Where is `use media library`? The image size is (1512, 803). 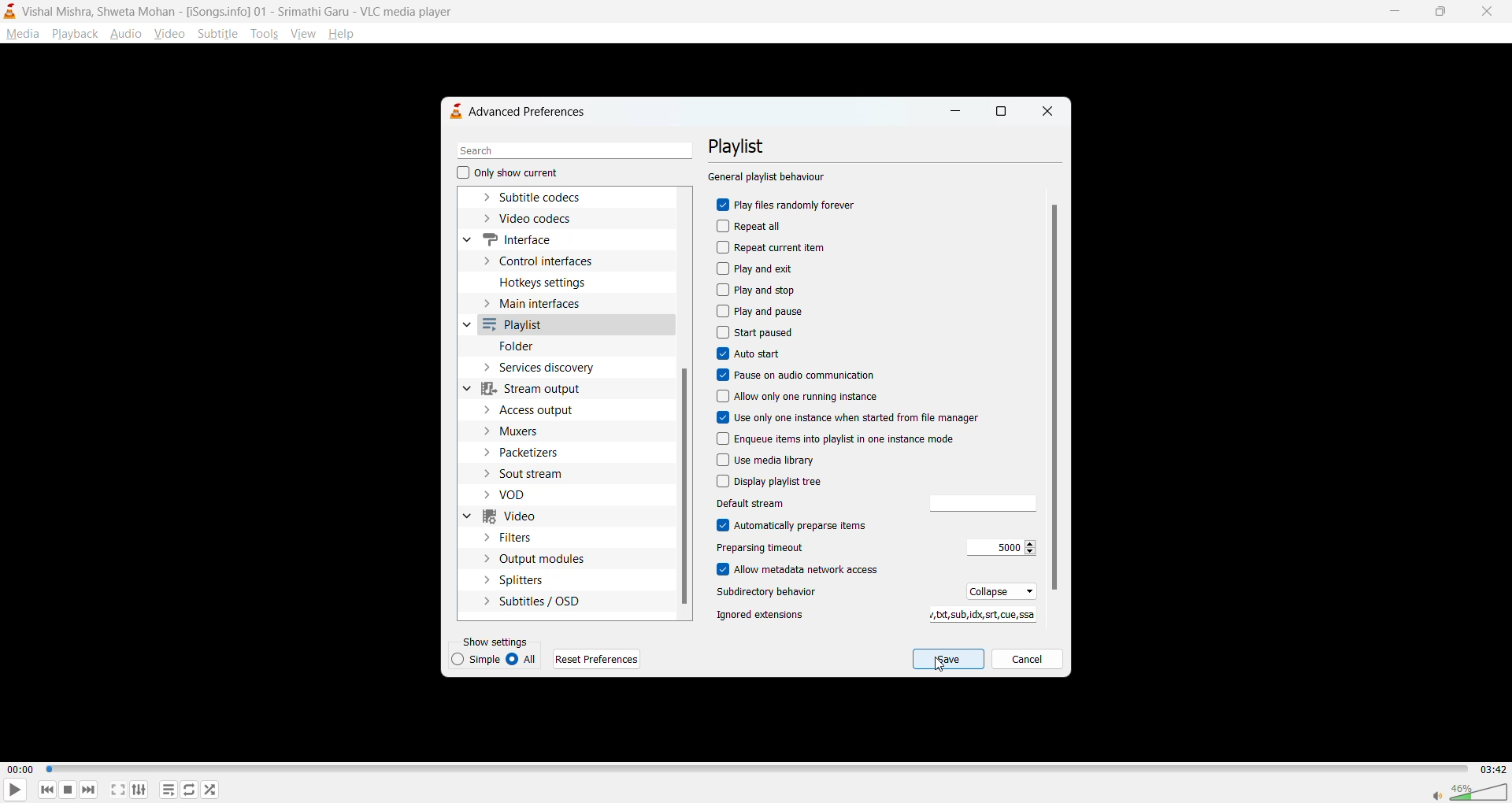
use media library is located at coordinates (766, 460).